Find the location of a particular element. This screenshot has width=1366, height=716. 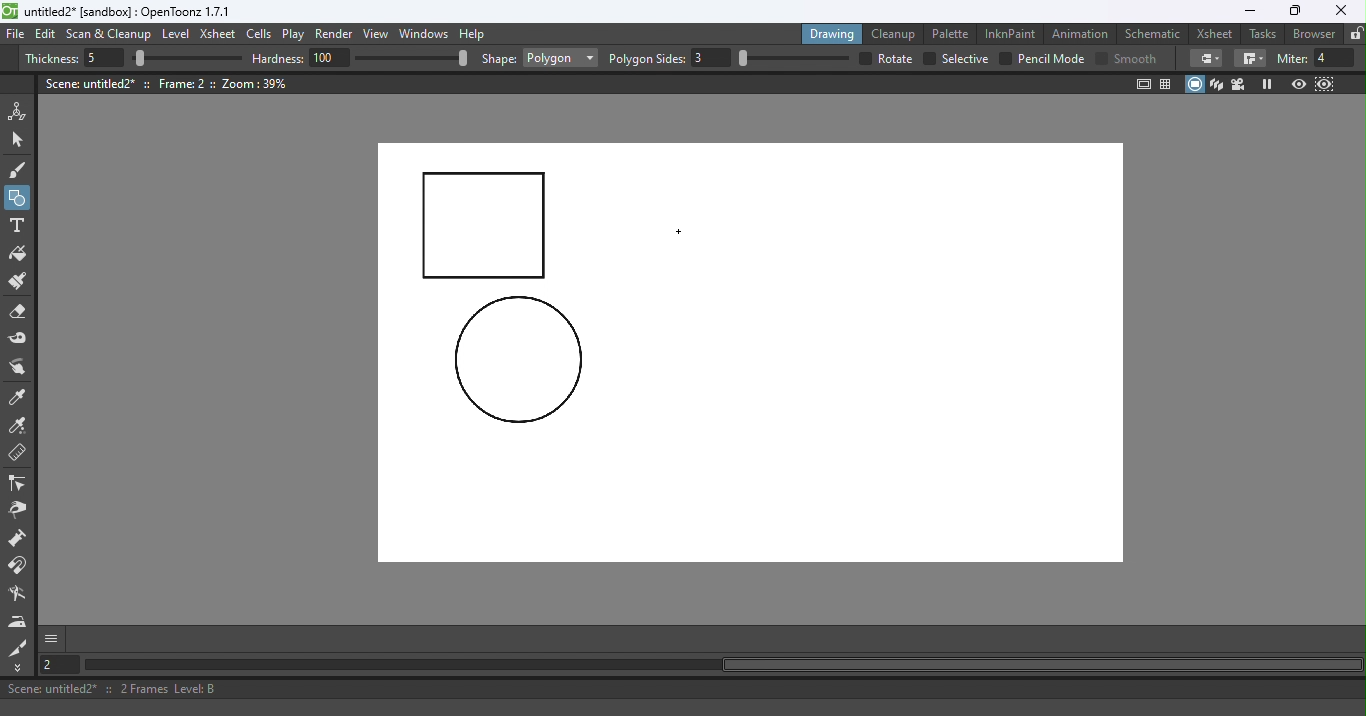

slider is located at coordinates (187, 59).